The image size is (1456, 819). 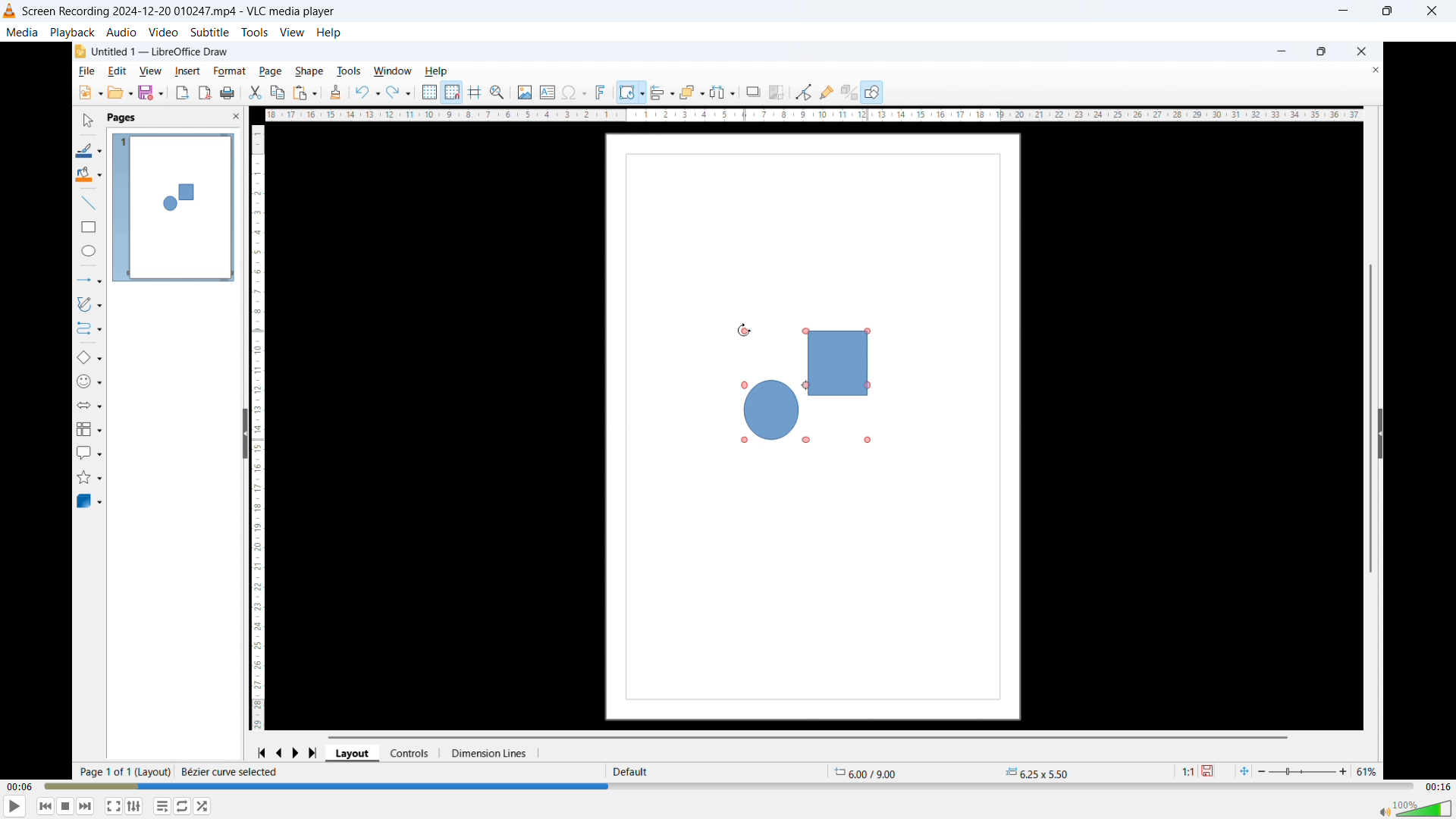 I want to click on Playback , so click(x=74, y=33).